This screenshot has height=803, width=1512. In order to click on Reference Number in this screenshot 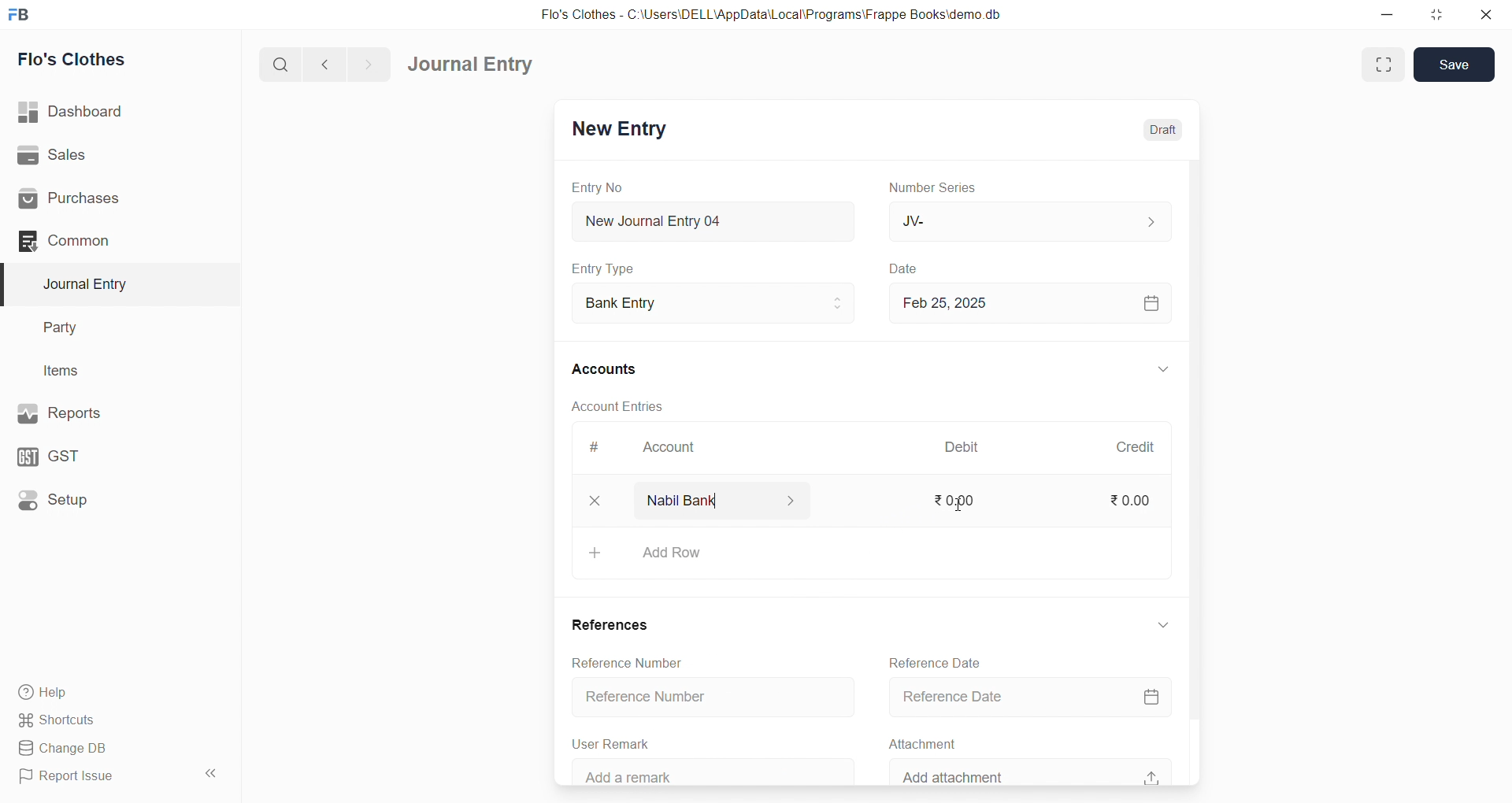, I will do `click(614, 661)`.